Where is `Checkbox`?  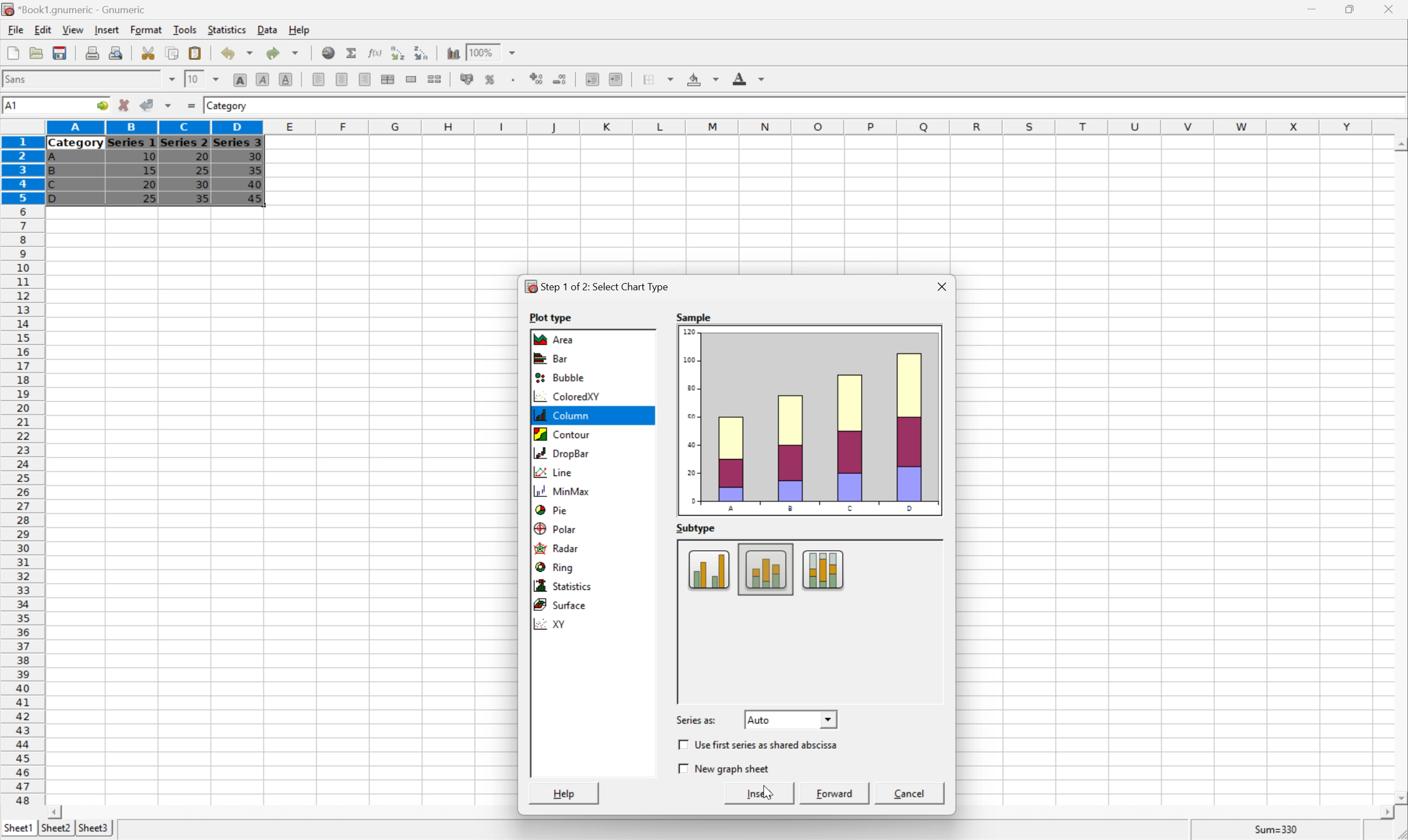 Checkbox is located at coordinates (681, 767).